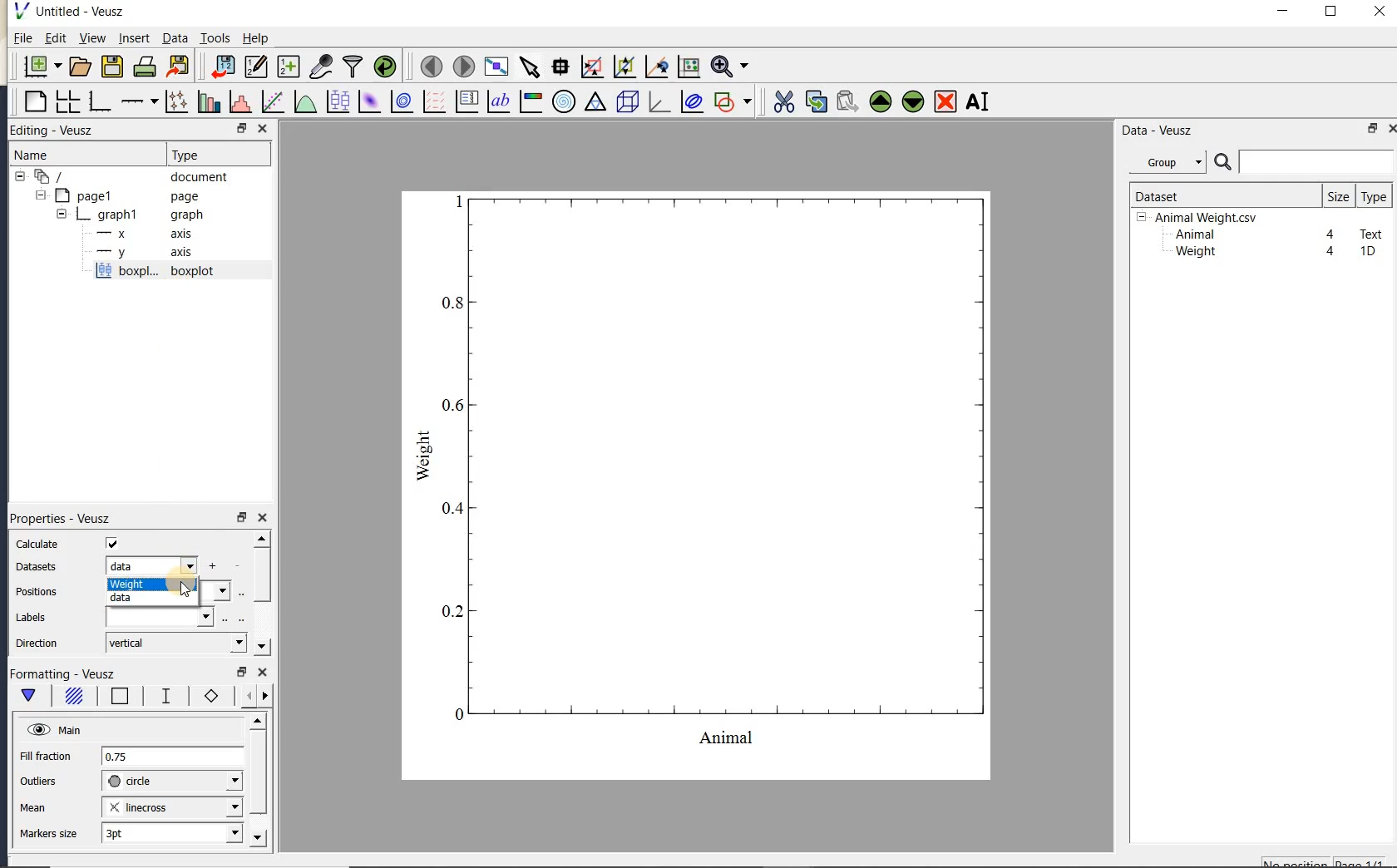  What do you see at coordinates (31, 618) in the screenshot?
I see `Labels` at bounding box center [31, 618].